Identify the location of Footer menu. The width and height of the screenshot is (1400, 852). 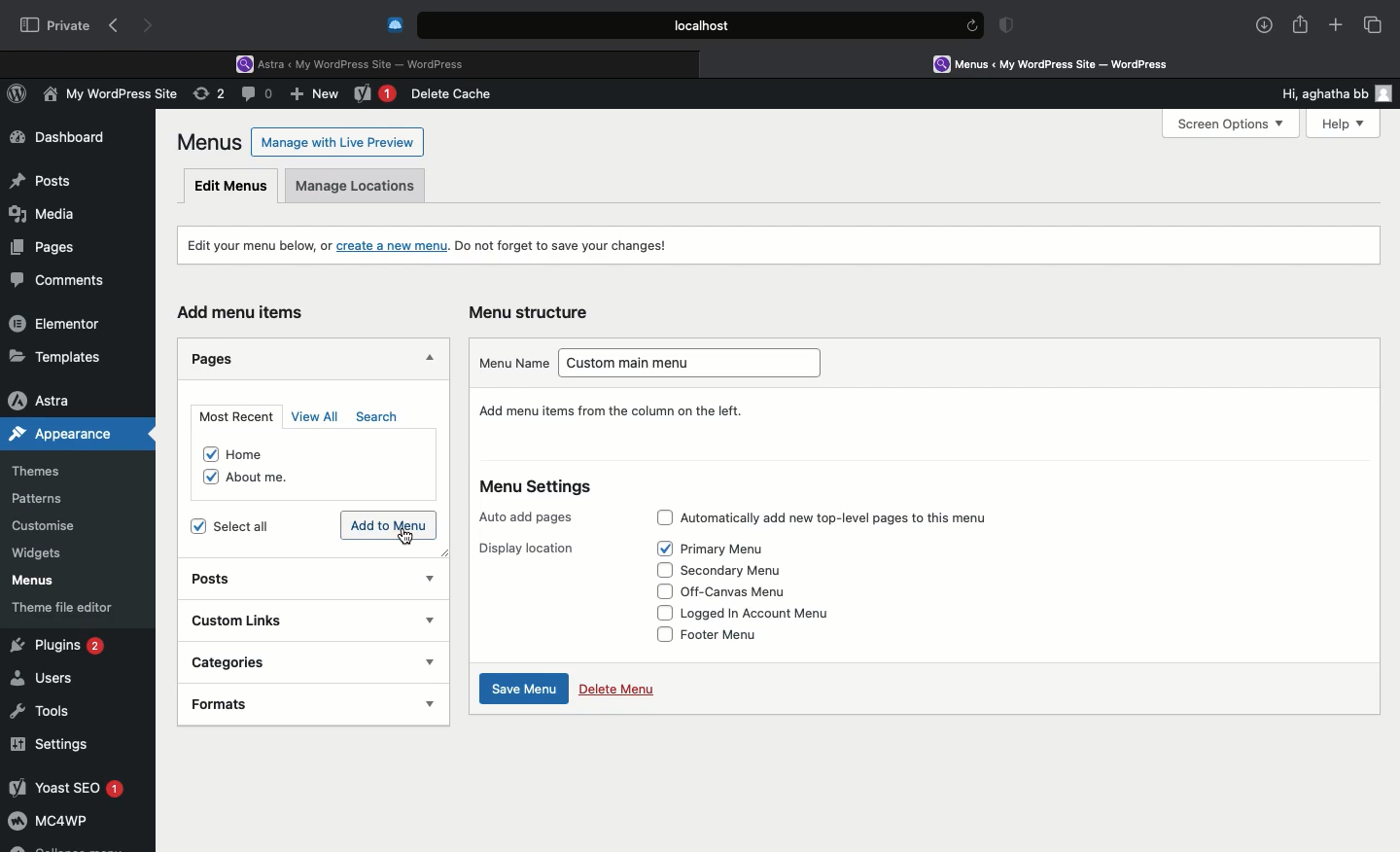
(734, 638).